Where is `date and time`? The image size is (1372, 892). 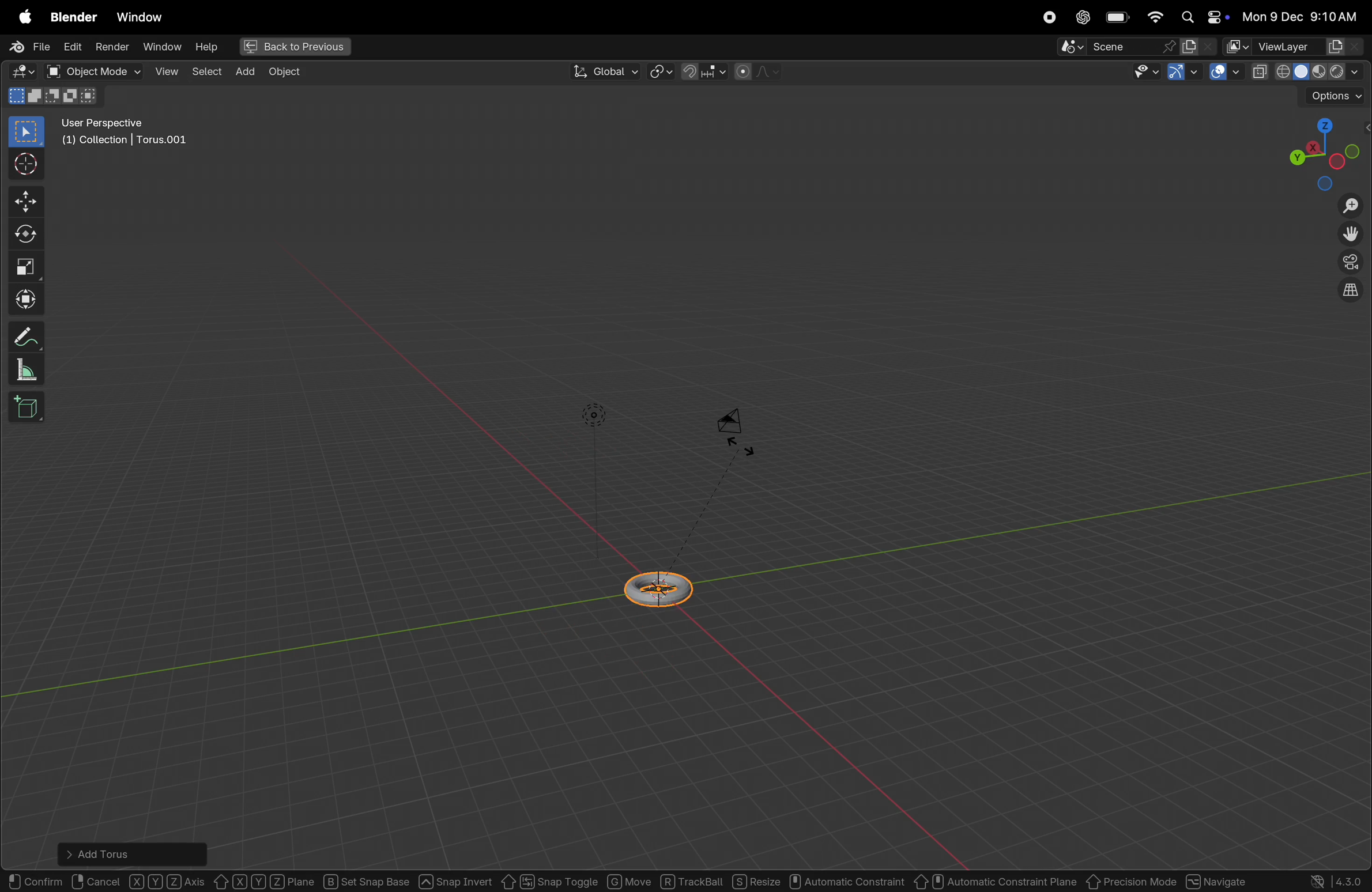 date and time is located at coordinates (1304, 16).